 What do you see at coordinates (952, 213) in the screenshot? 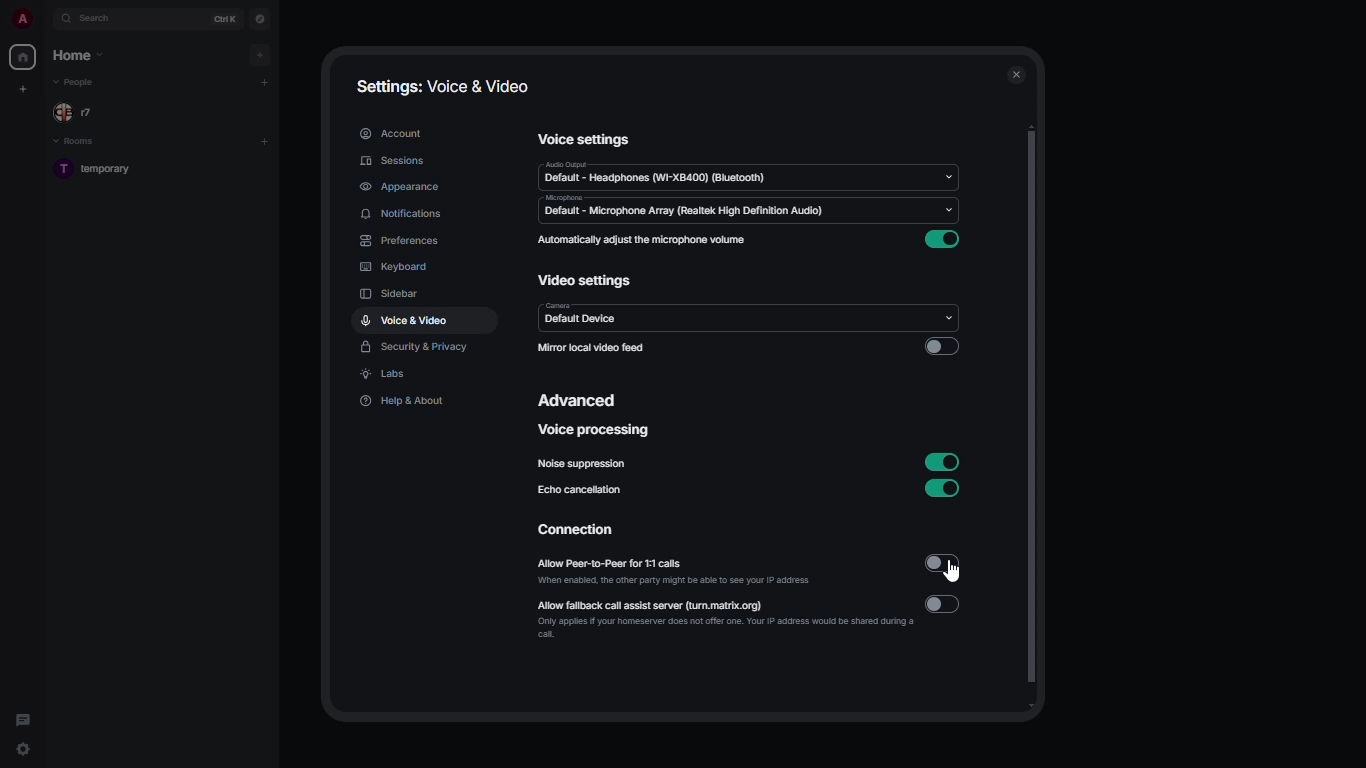
I see `drop down` at bounding box center [952, 213].